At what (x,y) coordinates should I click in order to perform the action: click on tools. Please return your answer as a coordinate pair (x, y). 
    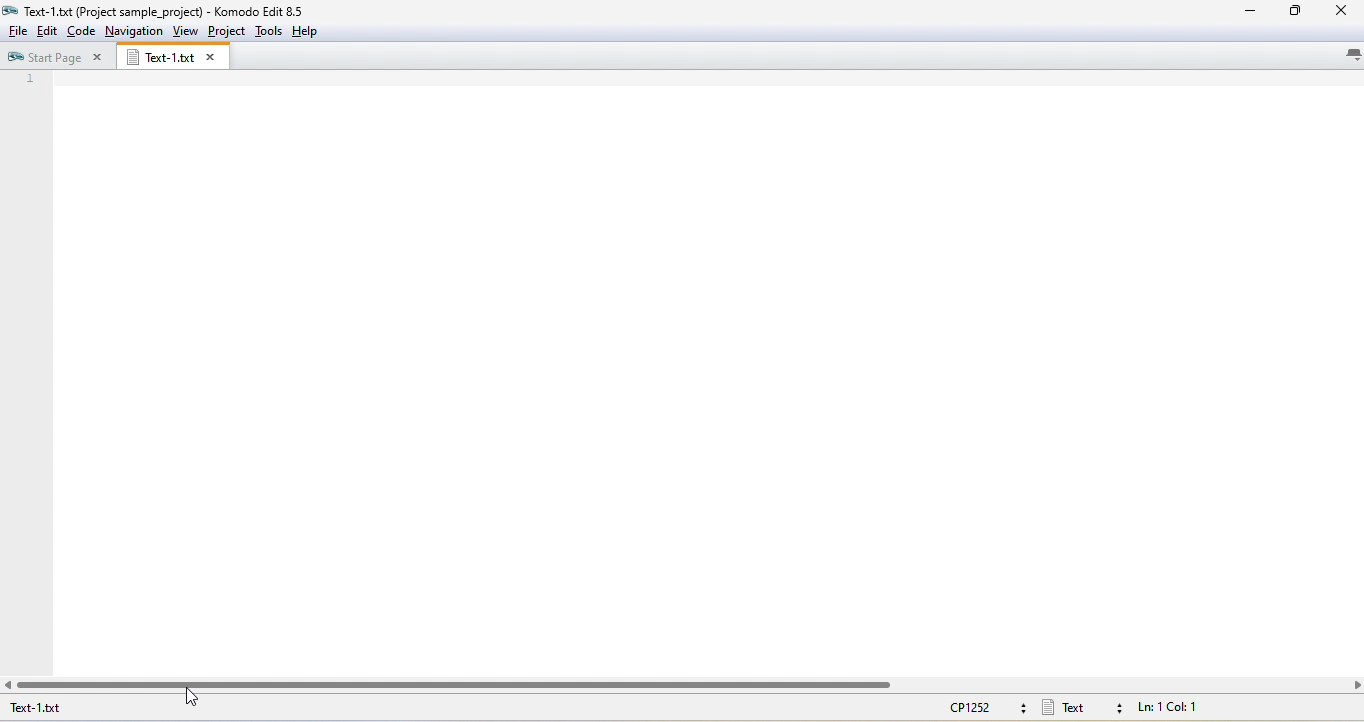
    Looking at the image, I should click on (269, 31).